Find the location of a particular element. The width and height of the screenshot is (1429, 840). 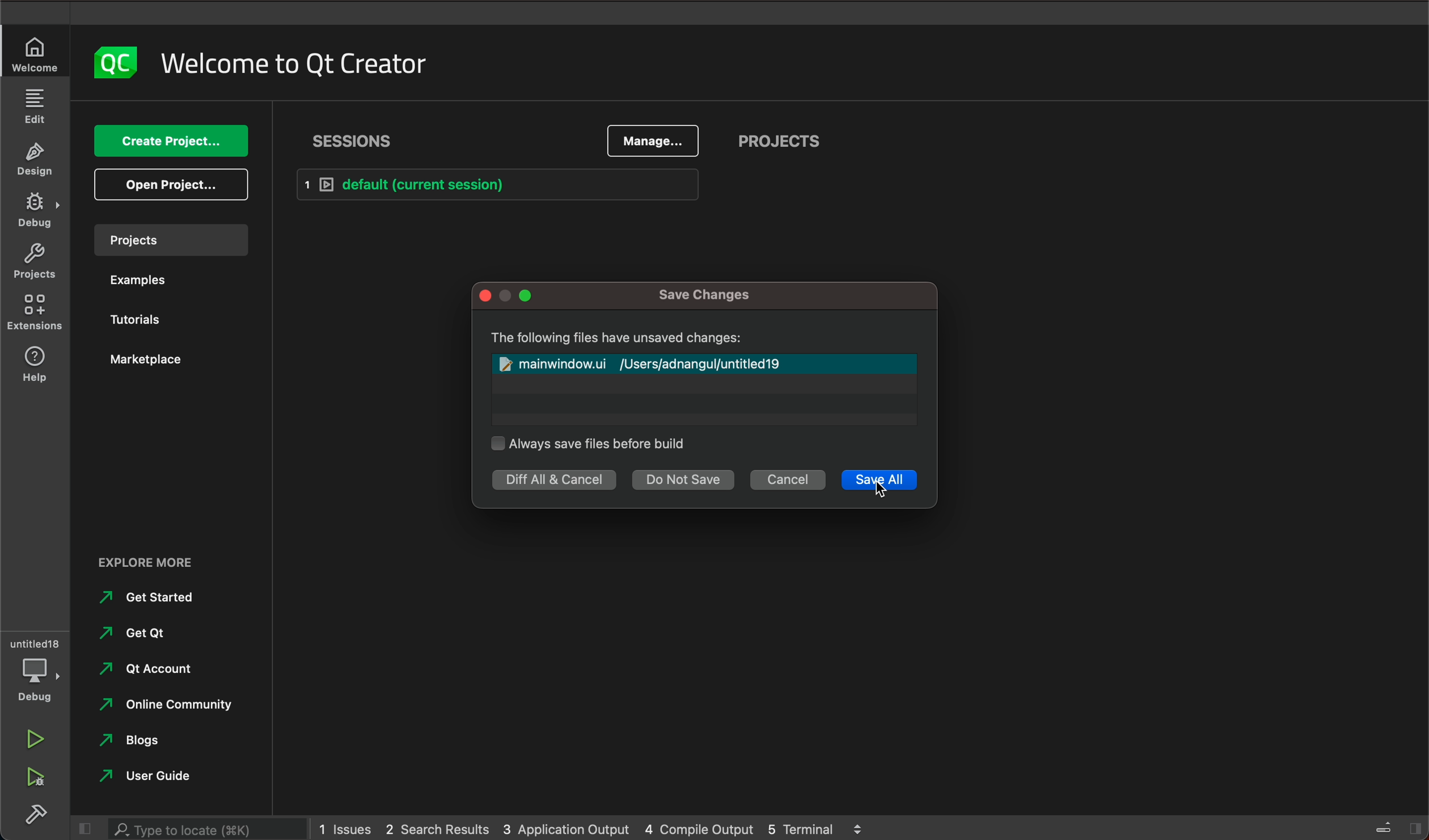

hide sidebar is located at coordinates (83, 828).